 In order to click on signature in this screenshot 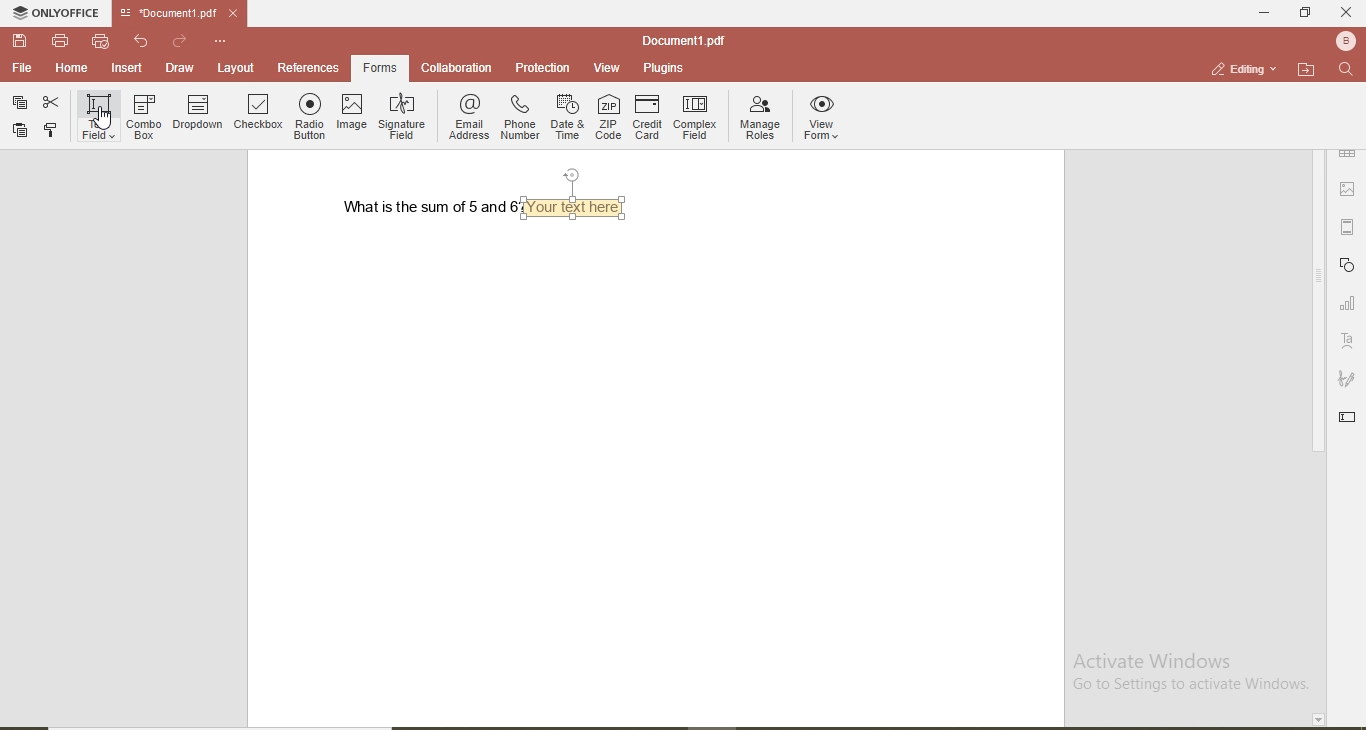, I will do `click(1349, 381)`.